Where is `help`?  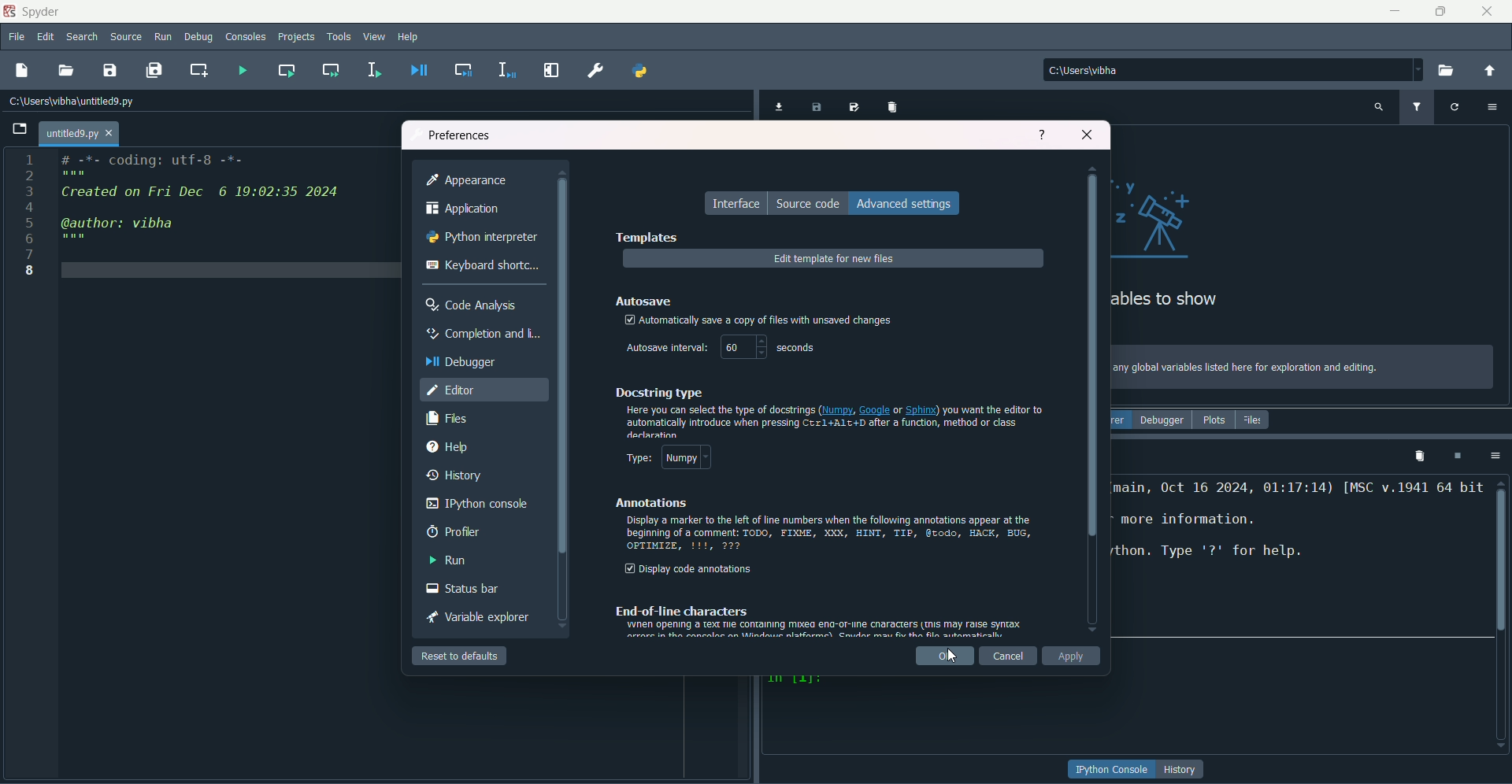
help is located at coordinates (1043, 135).